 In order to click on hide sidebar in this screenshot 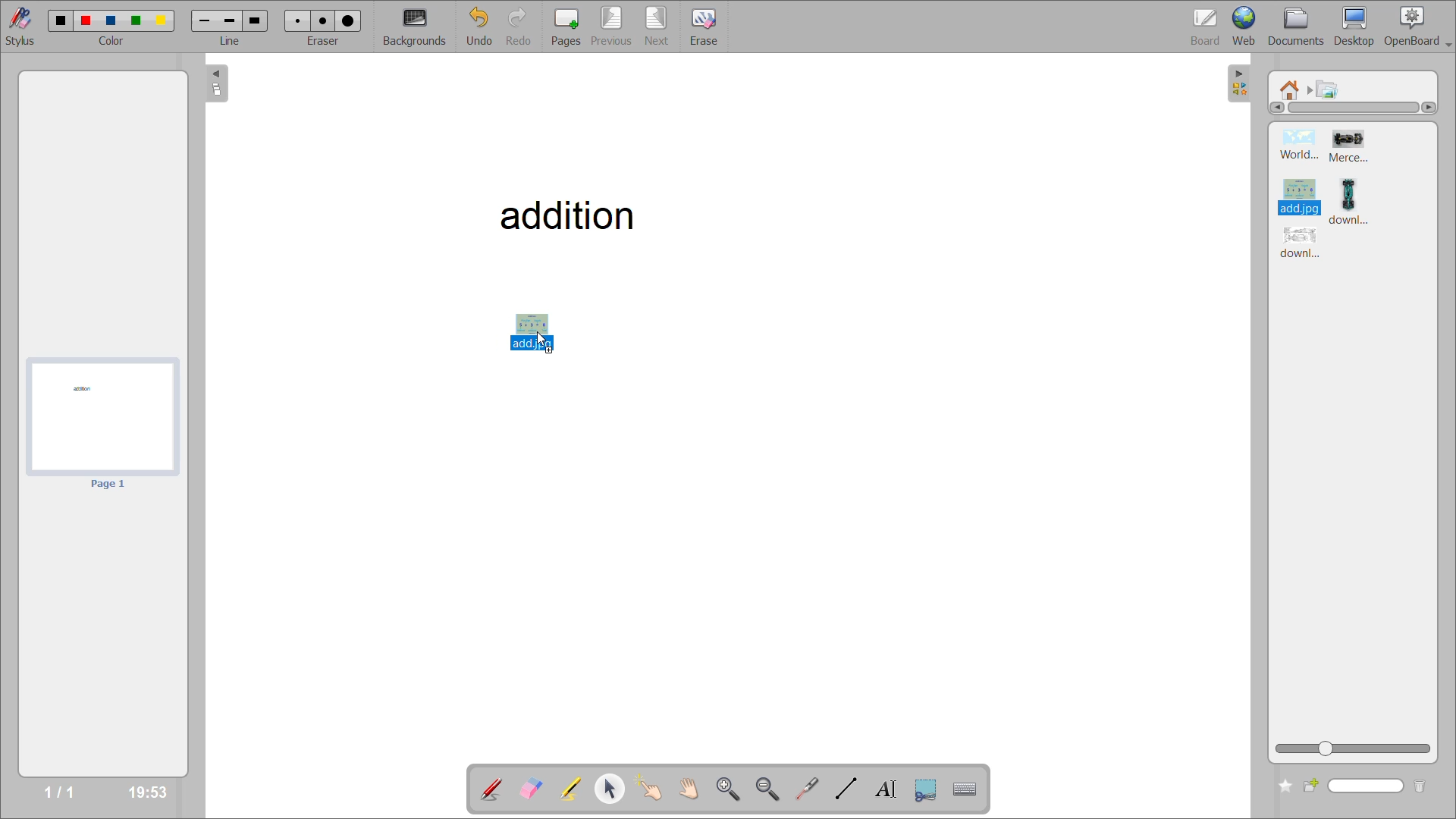, I will do `click(1240, 85)`.